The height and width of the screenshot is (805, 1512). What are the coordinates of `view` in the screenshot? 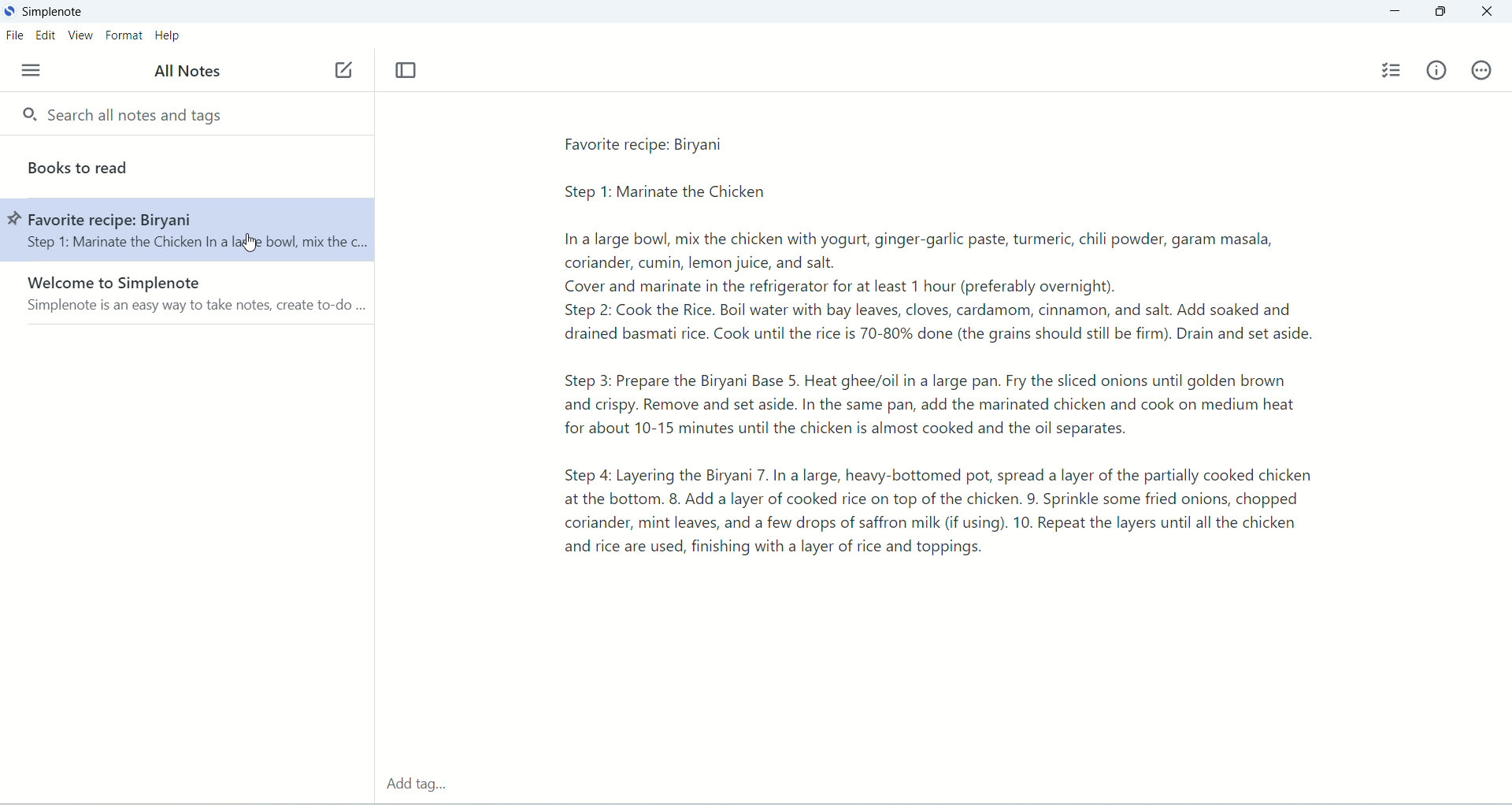 It's located at (80, 35).